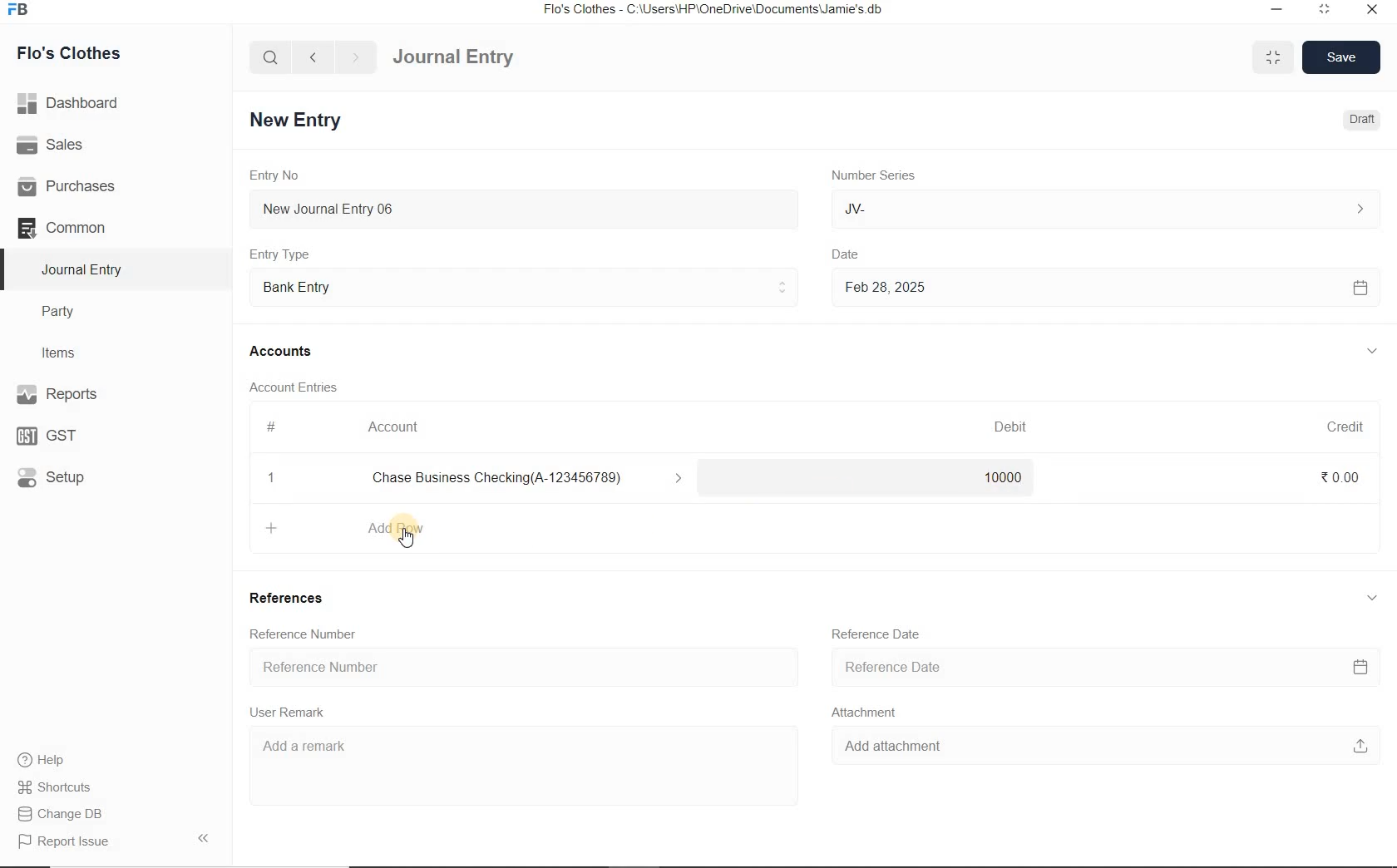 The width and height of the screenshot is (1397, 868). What do you see at coordinates (67, 476) in the screenshot?
I see `Setup` at bounding box center [67, 476].